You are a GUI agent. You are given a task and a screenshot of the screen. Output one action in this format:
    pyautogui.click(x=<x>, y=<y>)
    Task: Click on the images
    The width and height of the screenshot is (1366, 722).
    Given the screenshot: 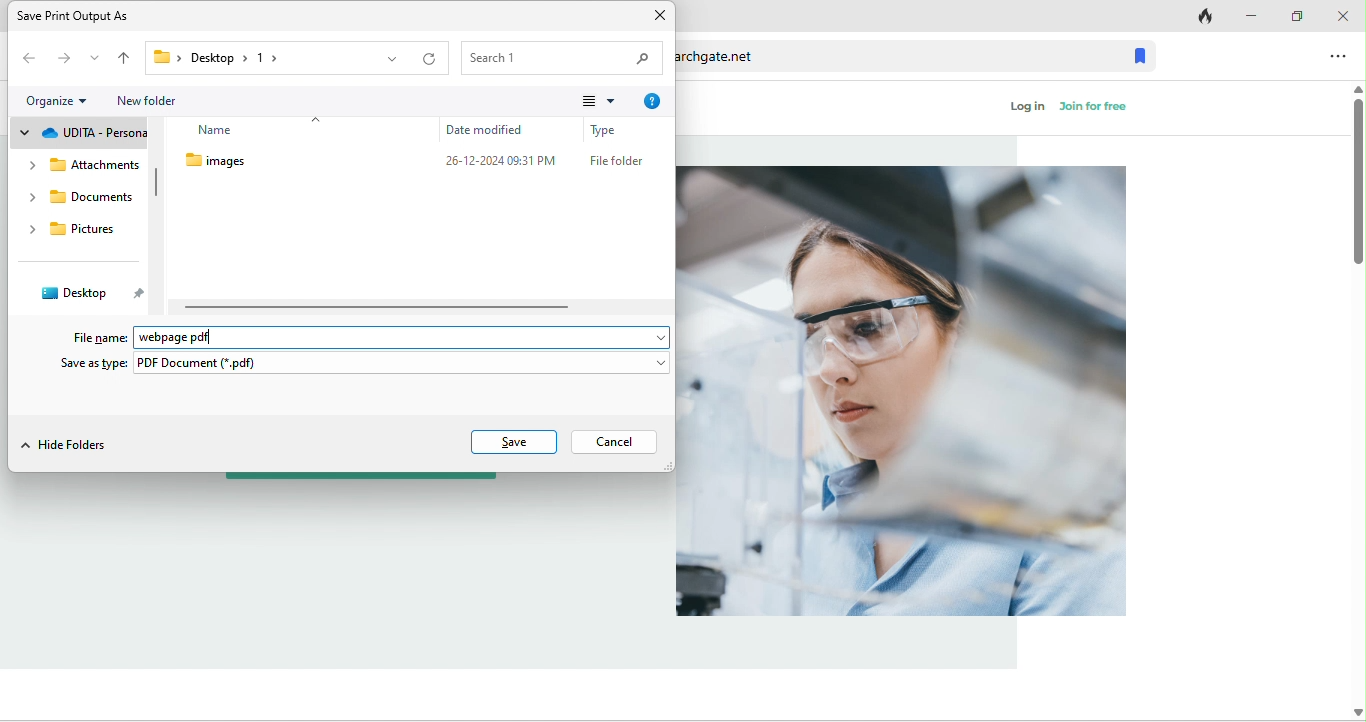 What is the action you would take?
    pyautogui.click(x=247, y=161)
    